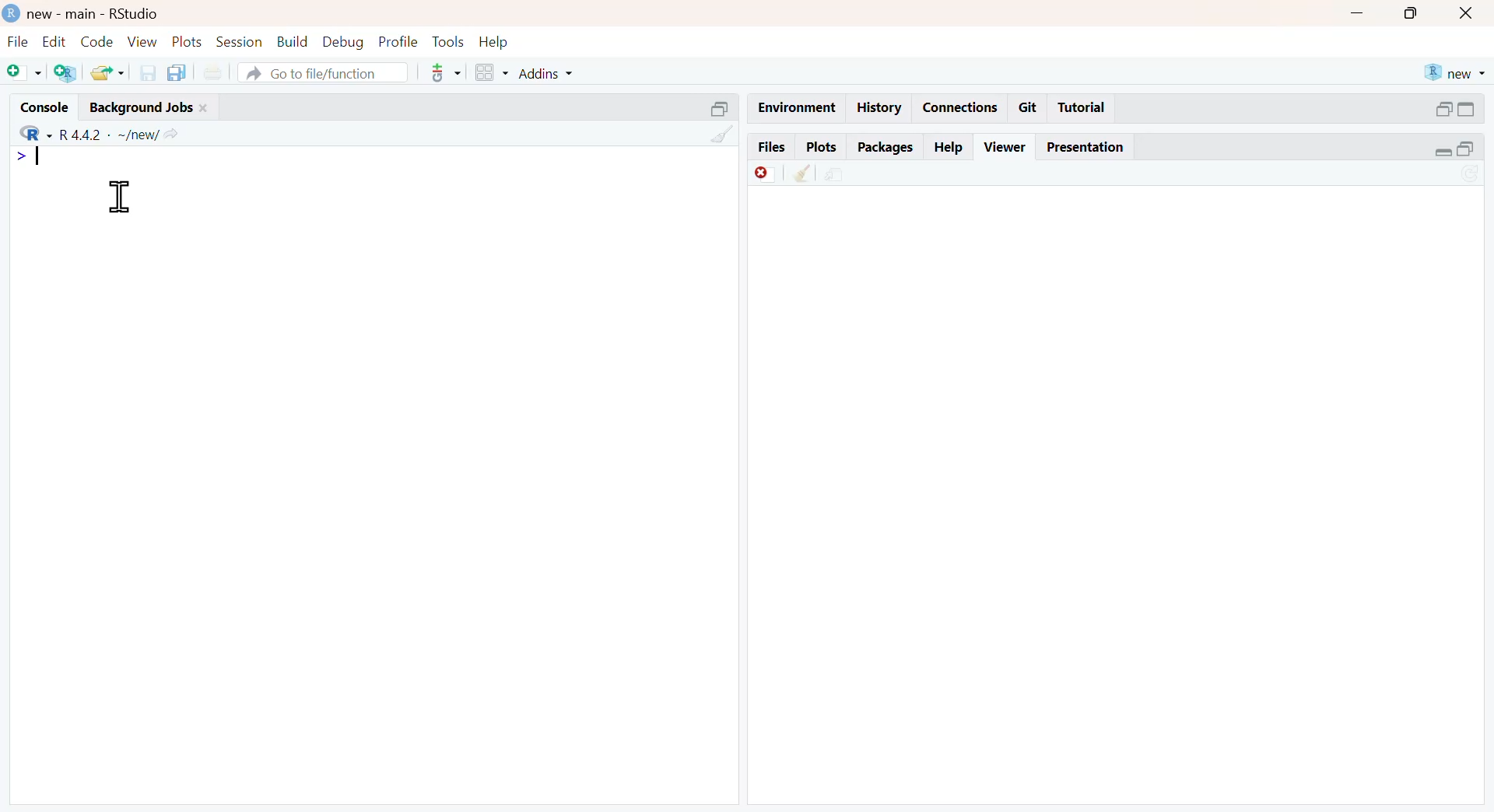 This screenshot has width=1494, height=812. Describe the element at coordinates (1082, 108) in the screenshot. I see `tutorial` at that location.